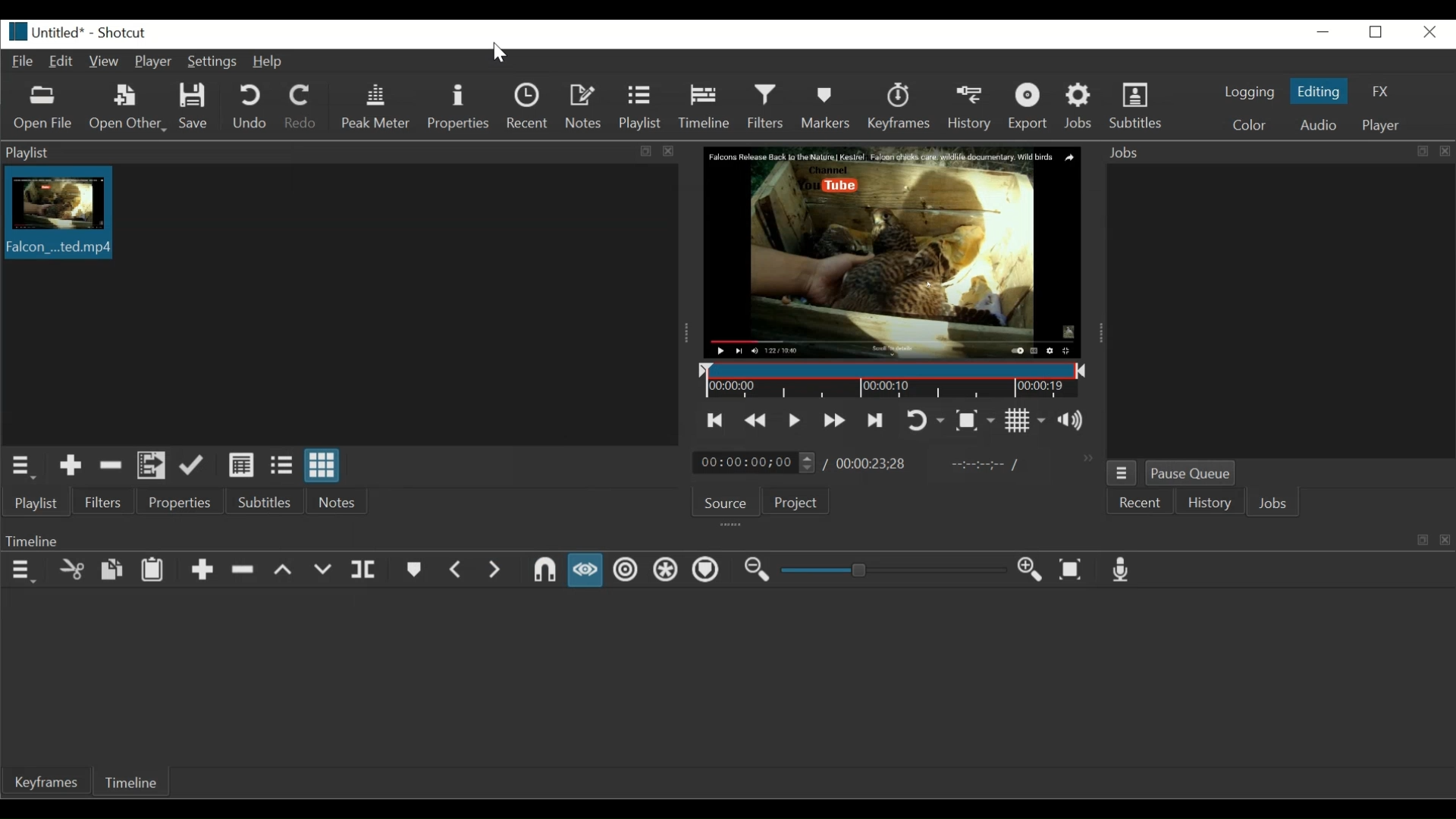  Describe the element at coordinates (285, 571) in the screenshot. I see `lift` at that location.